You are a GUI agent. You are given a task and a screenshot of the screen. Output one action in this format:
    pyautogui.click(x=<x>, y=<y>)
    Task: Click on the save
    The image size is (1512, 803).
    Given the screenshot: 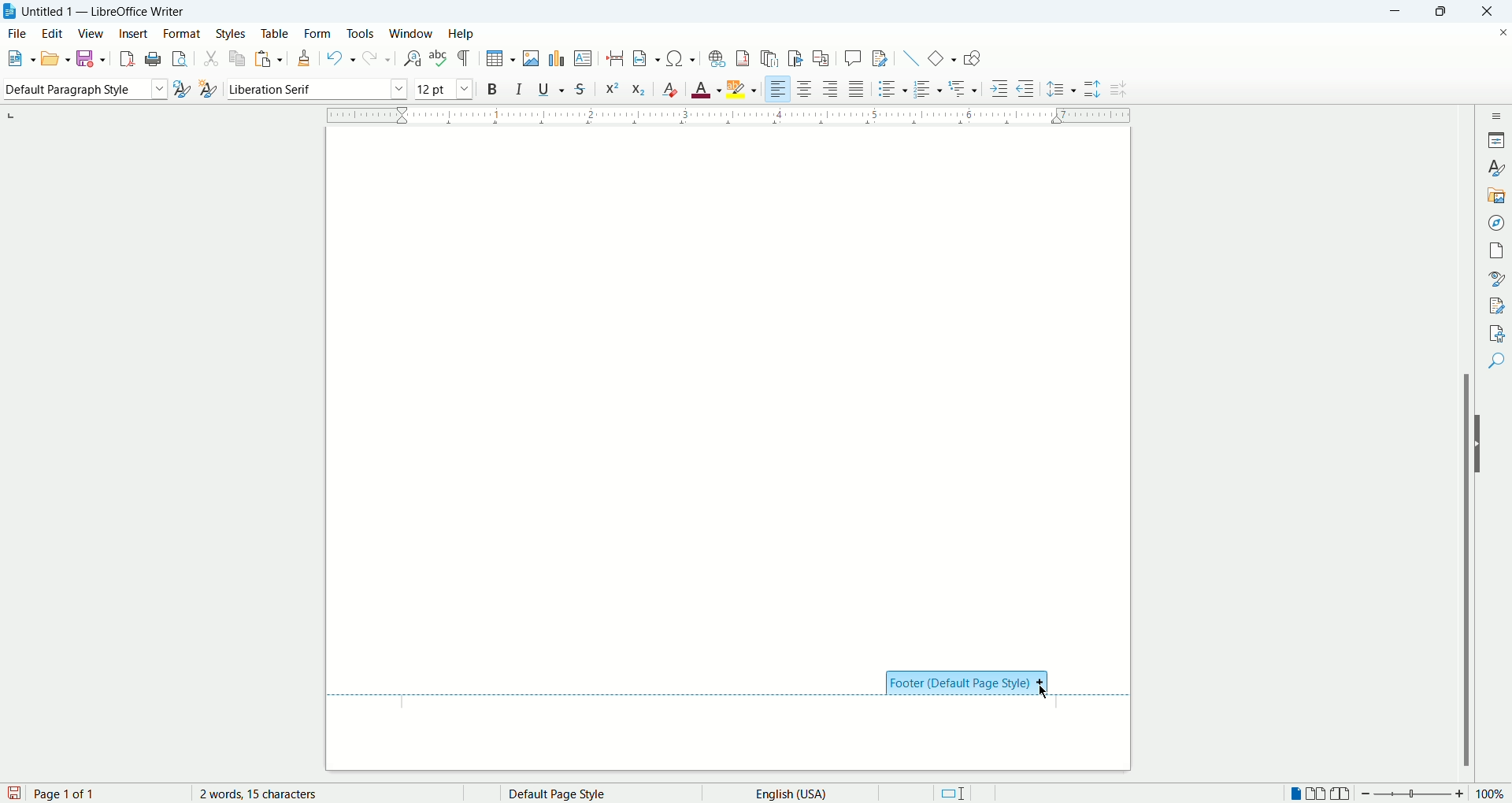 What is the action you would take?
    pyautogui.click(x=93, y=57)
    